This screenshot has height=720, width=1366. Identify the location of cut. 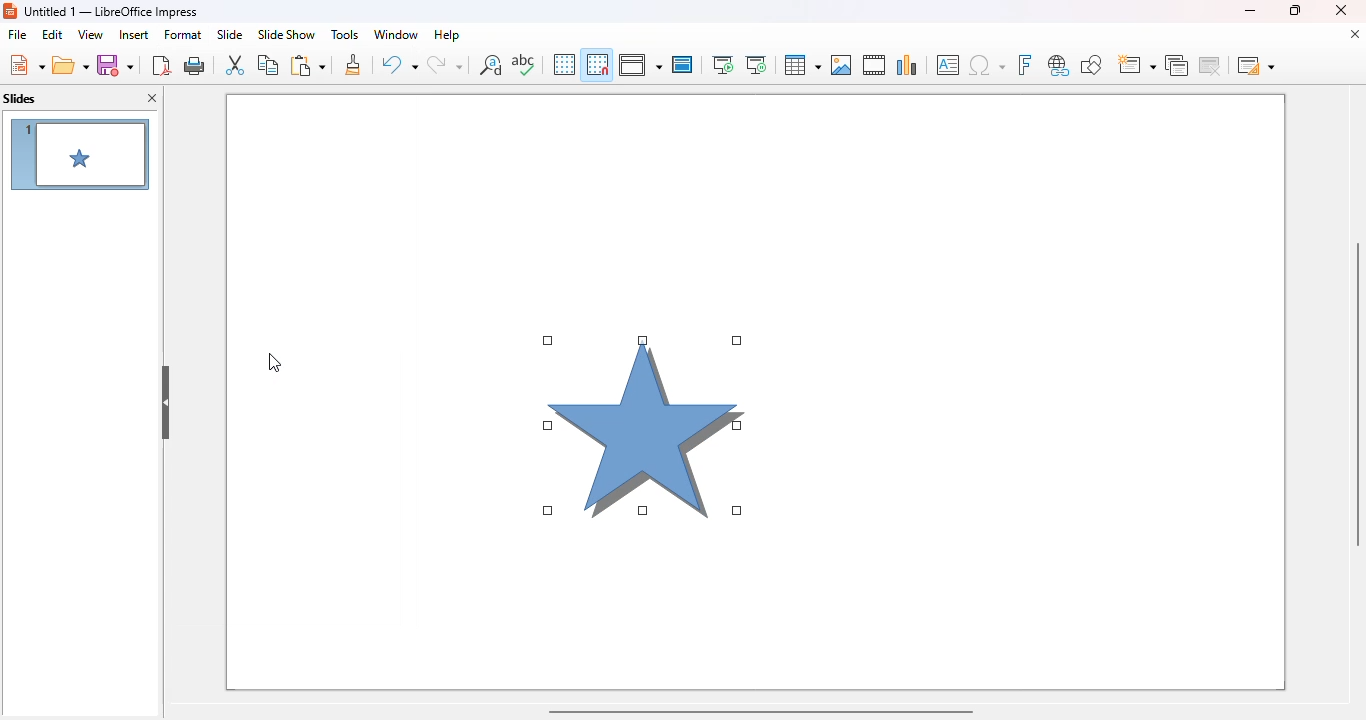
(235, 65).